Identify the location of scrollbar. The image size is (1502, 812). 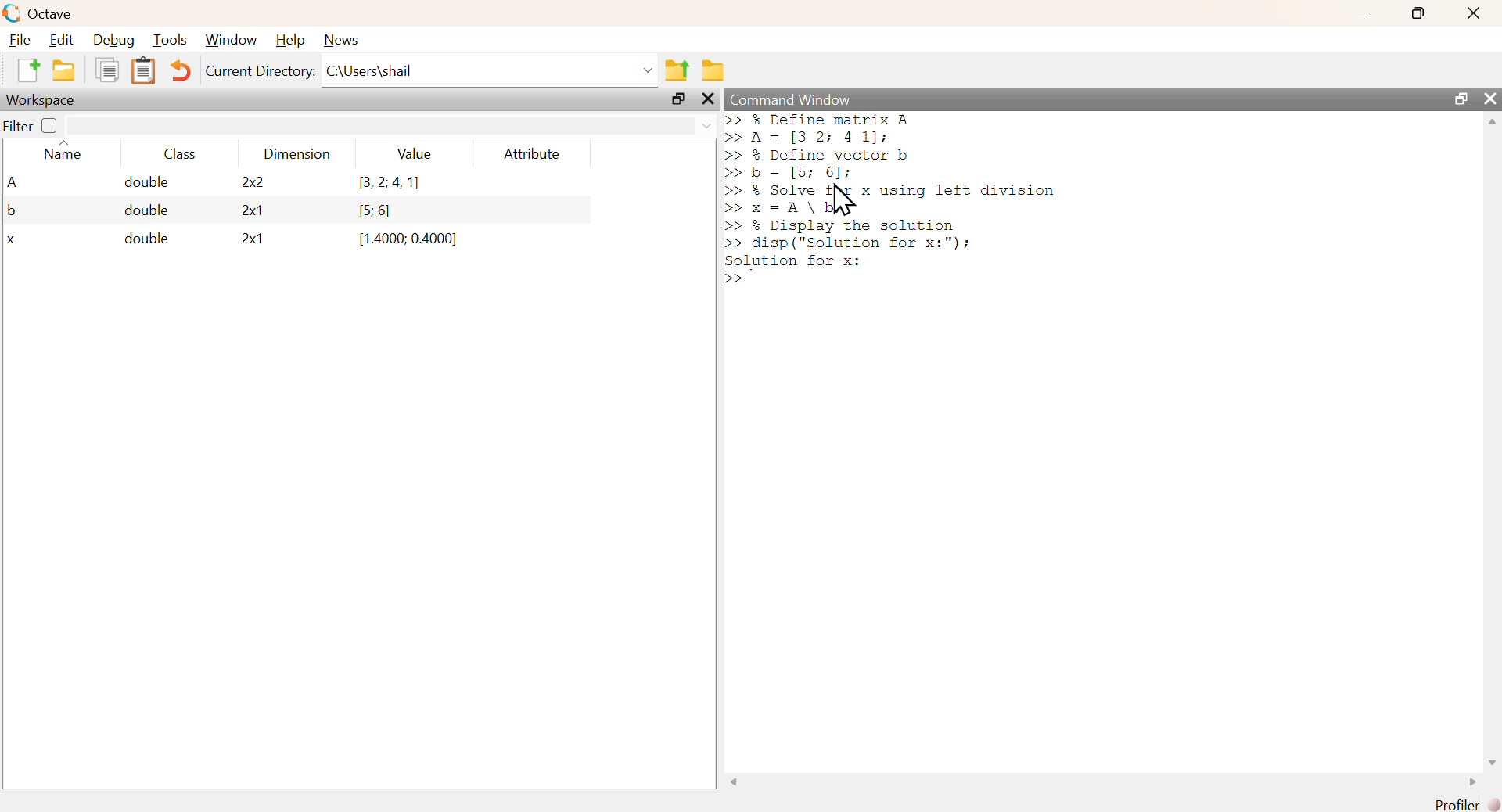
(1493, 441).